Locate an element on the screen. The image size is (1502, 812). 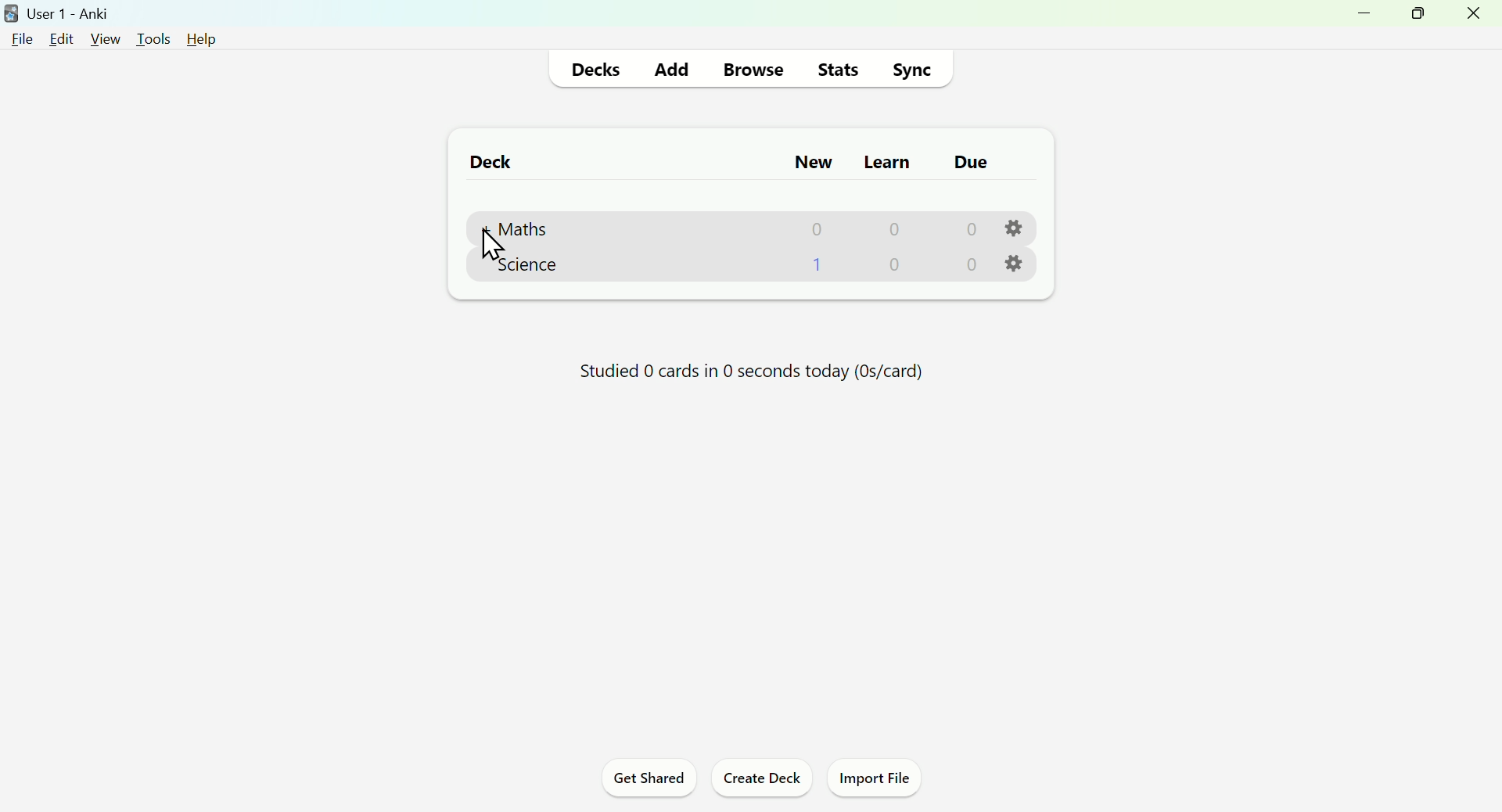
0 is located at coordinates (897, 266).